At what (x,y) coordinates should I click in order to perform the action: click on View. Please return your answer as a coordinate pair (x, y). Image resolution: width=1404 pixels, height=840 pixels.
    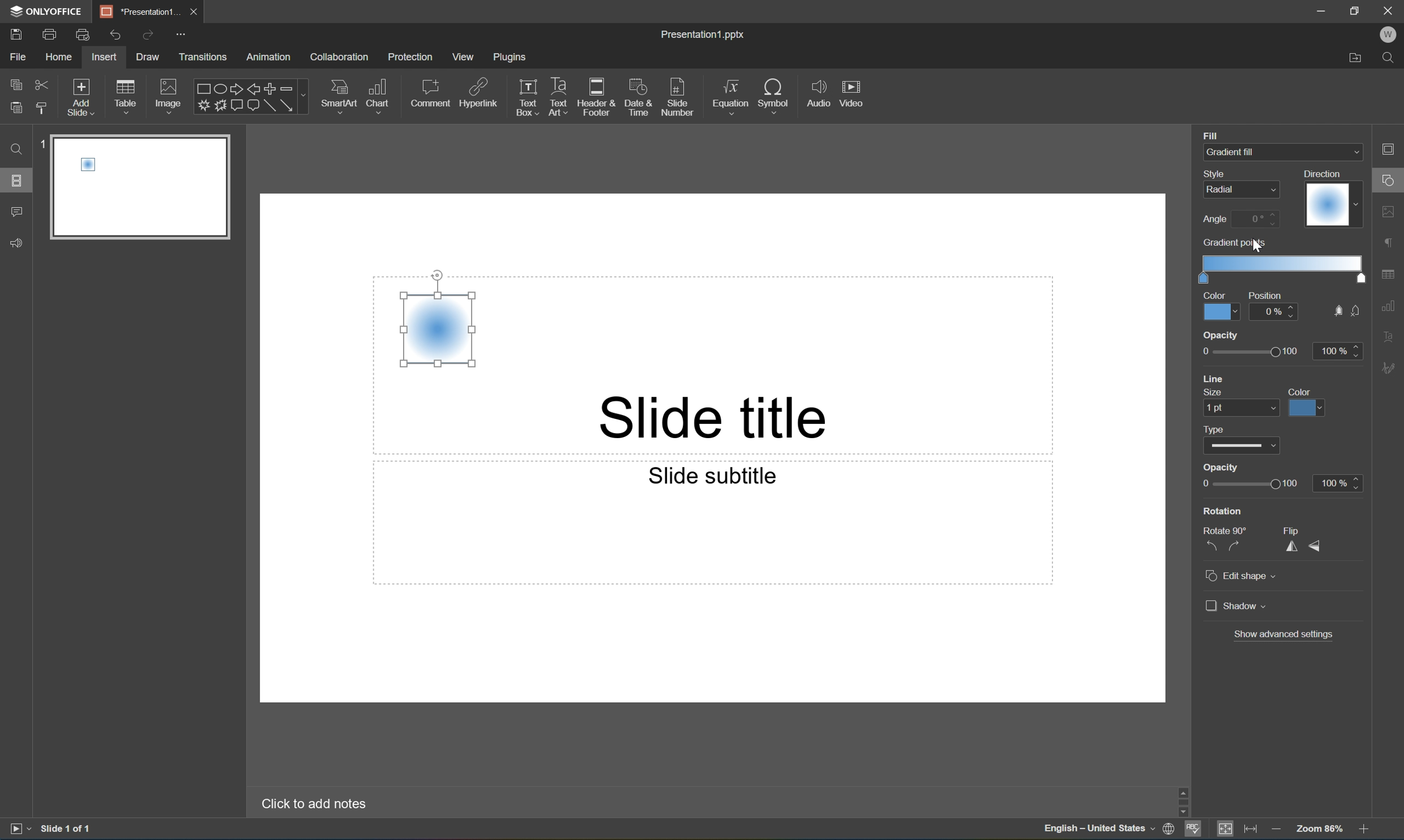
    Looking at the image, I should click on (464, 57).